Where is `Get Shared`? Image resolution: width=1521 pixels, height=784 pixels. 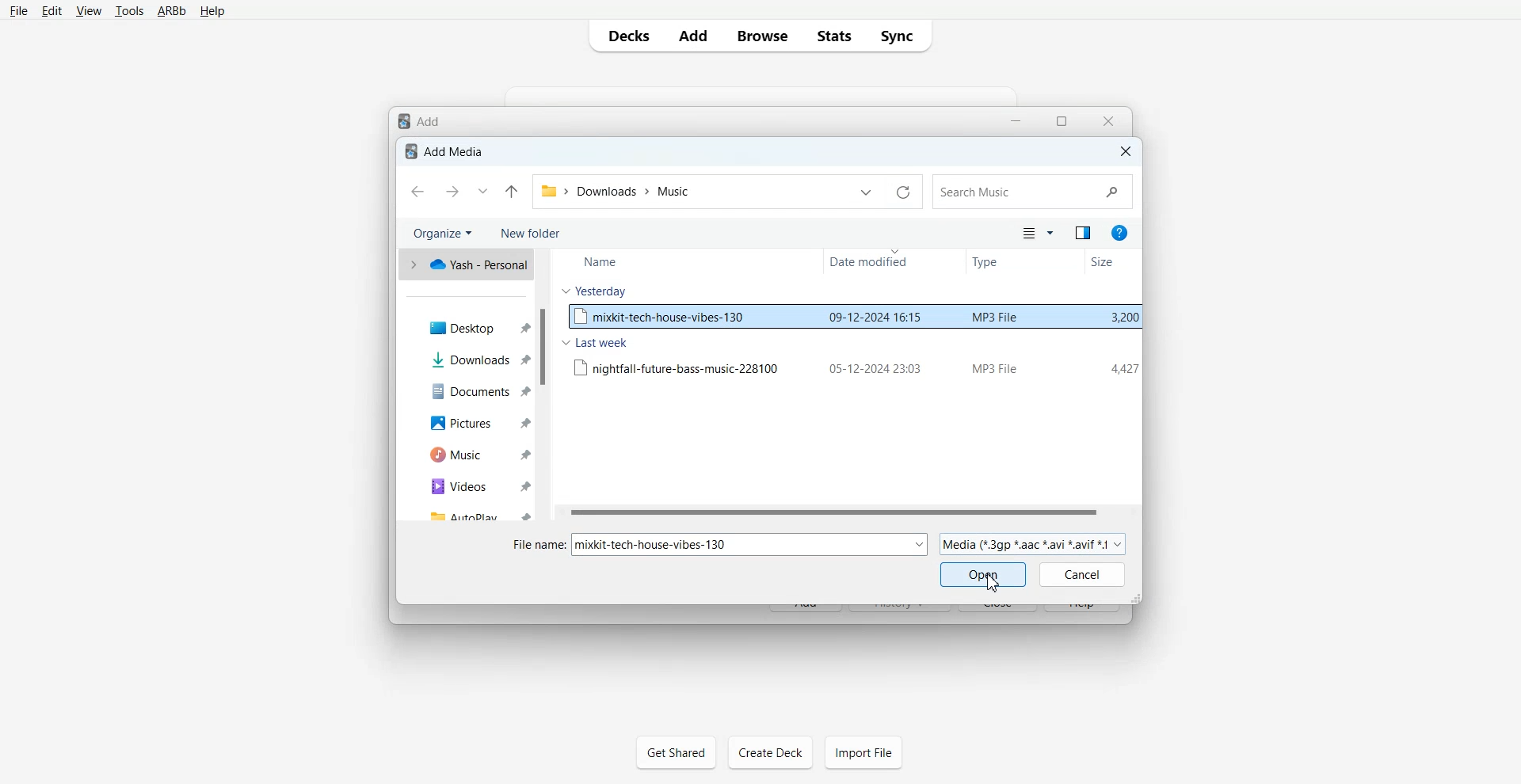 Get Shared is located at coordinates (676, 752).